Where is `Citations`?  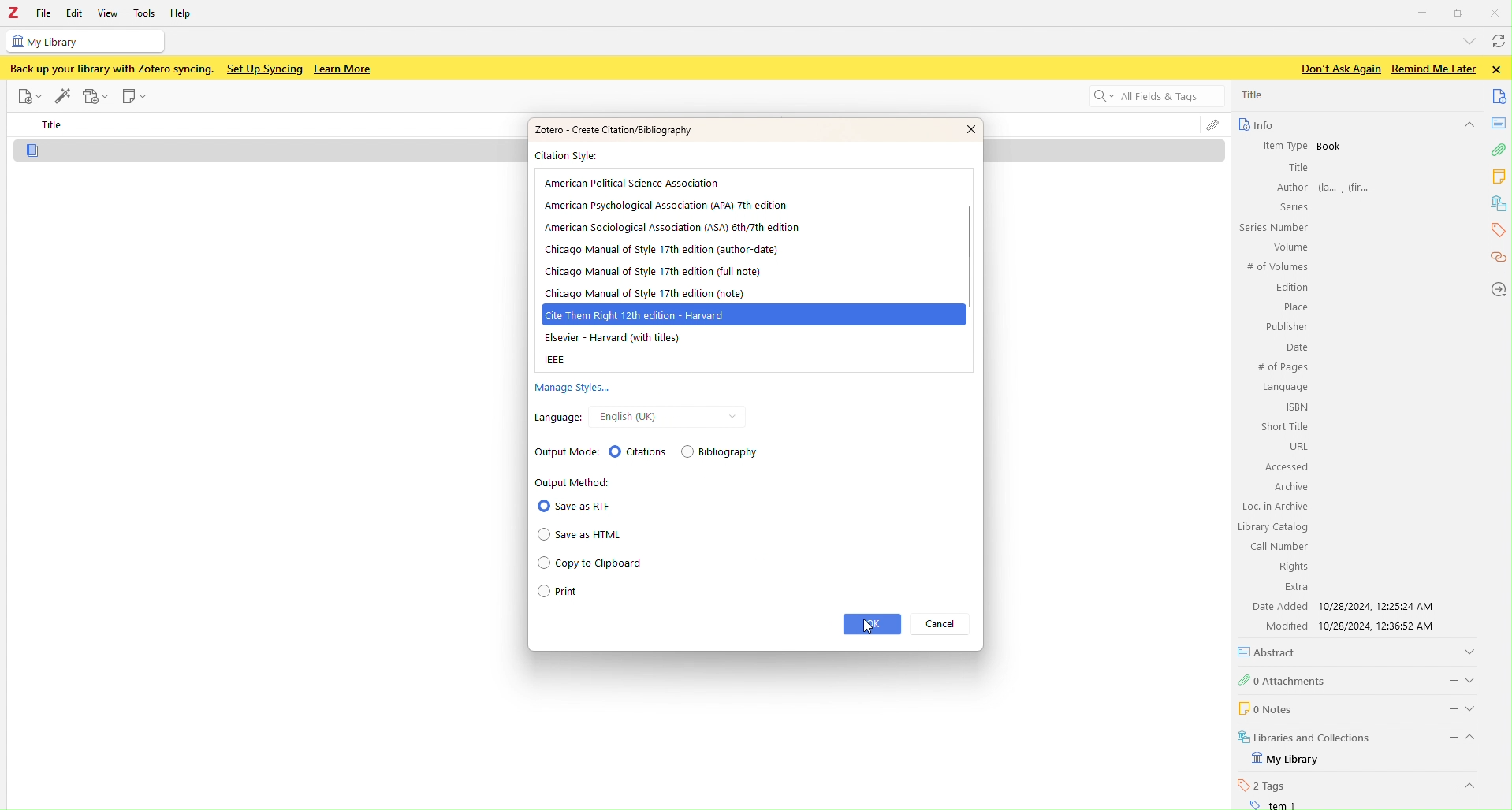
Citations is located at coordinates (637, 451).